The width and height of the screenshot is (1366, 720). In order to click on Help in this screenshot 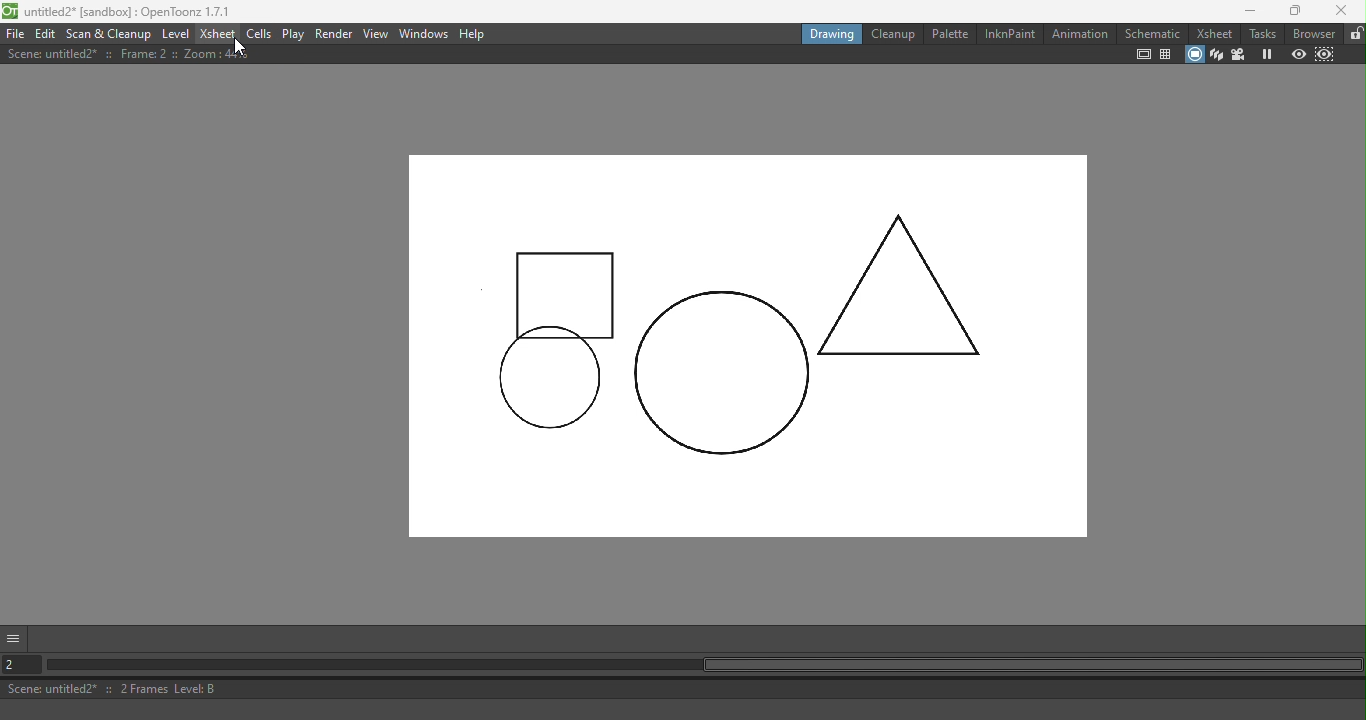, I will do `click(474, 34)`.